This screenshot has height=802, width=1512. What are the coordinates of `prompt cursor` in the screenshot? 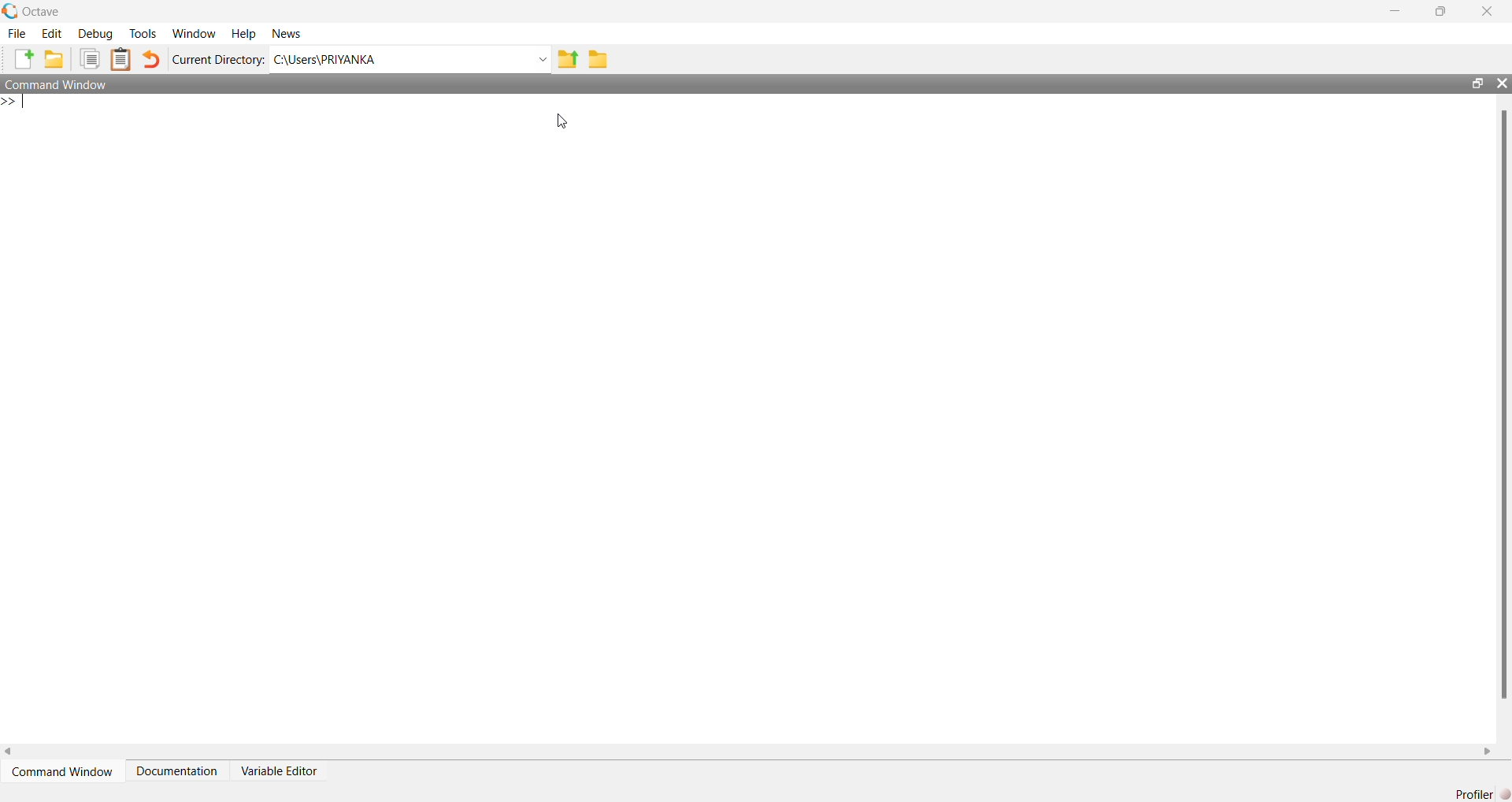 It's located at (9, 104).